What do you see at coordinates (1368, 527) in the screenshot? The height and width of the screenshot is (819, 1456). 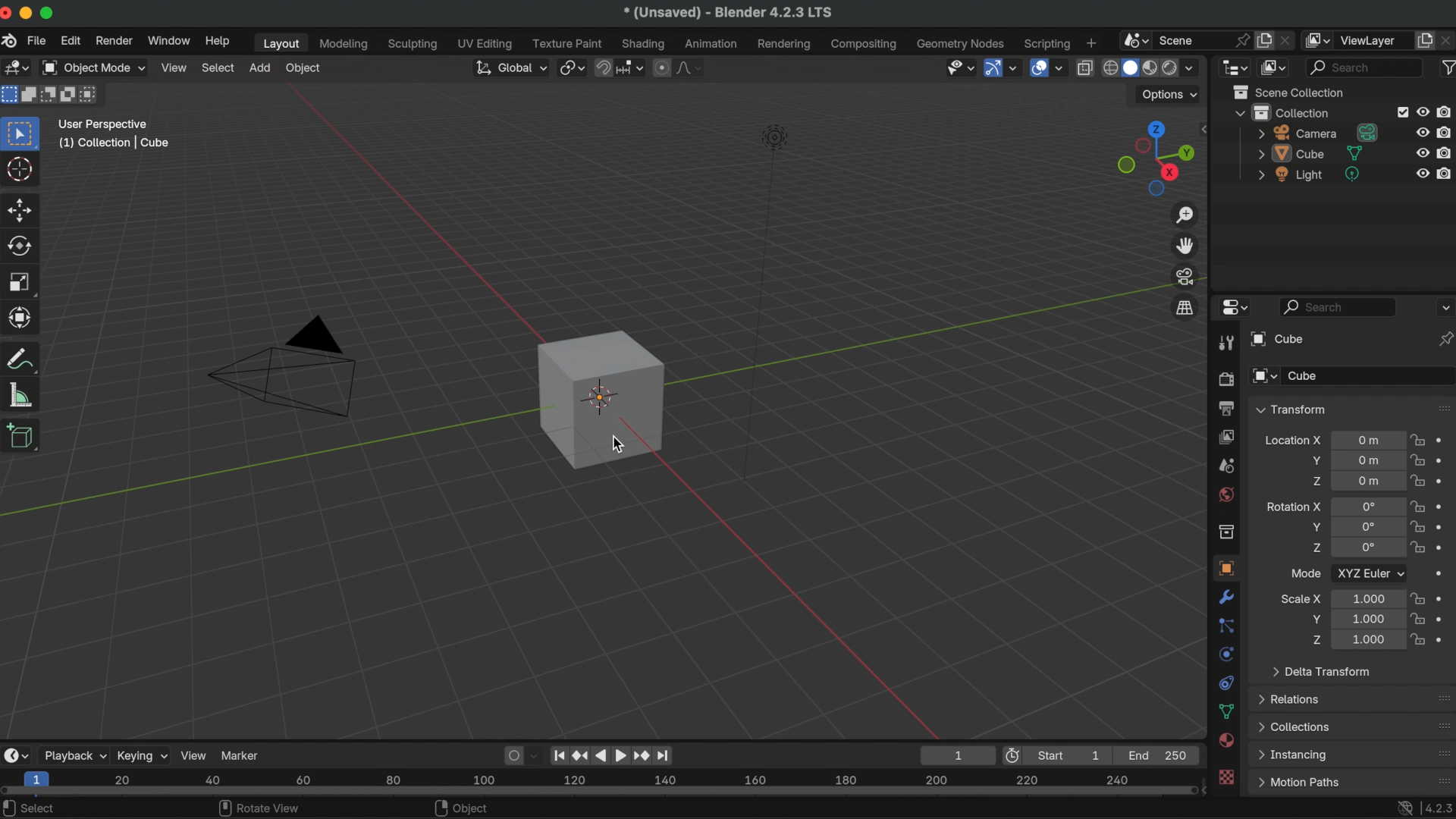 I see `euler rotation` at bounding box center [1368, 527].